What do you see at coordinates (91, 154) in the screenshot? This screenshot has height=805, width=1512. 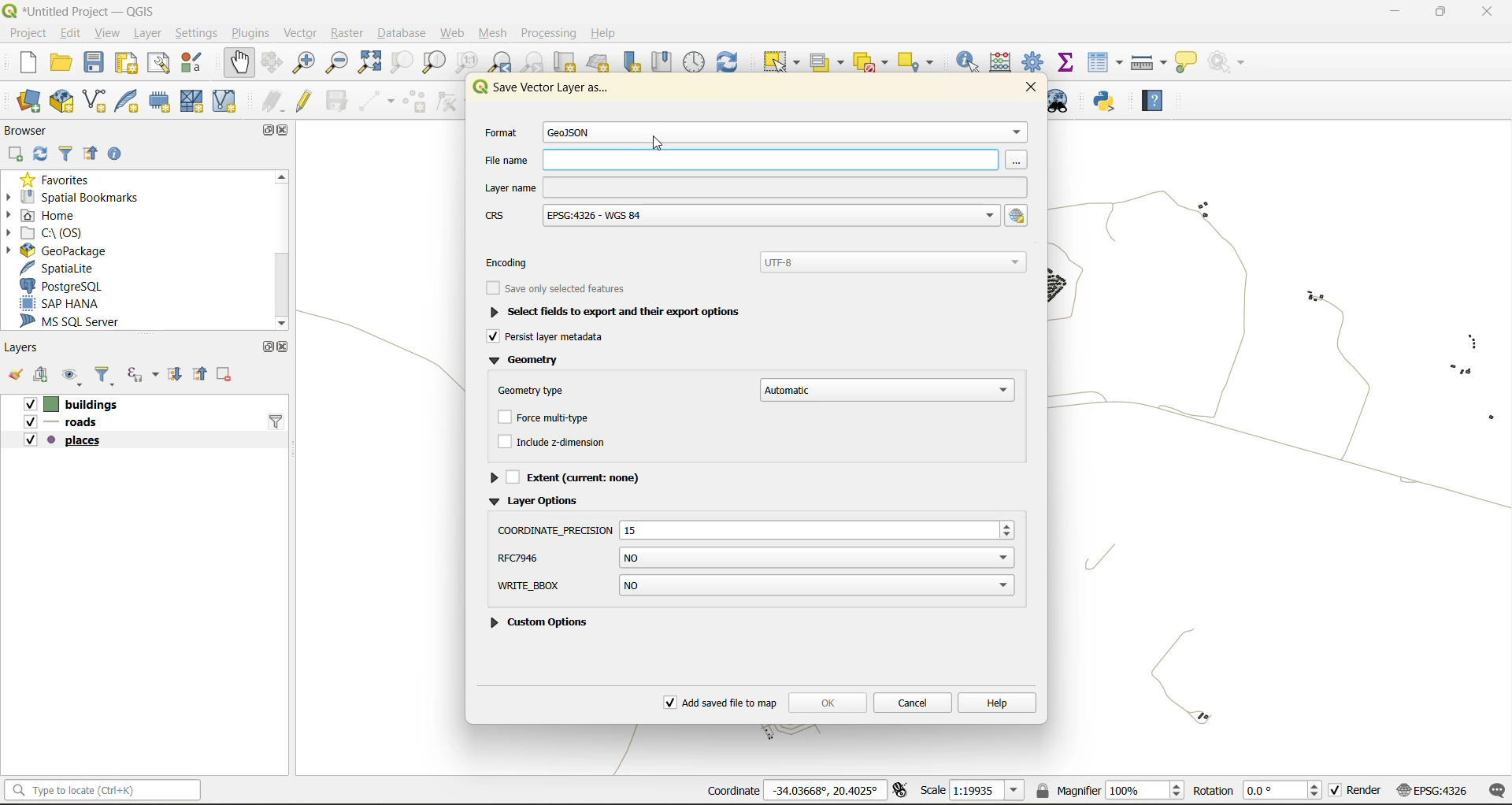 I see `collapse all` at bounding box center [91, 154].